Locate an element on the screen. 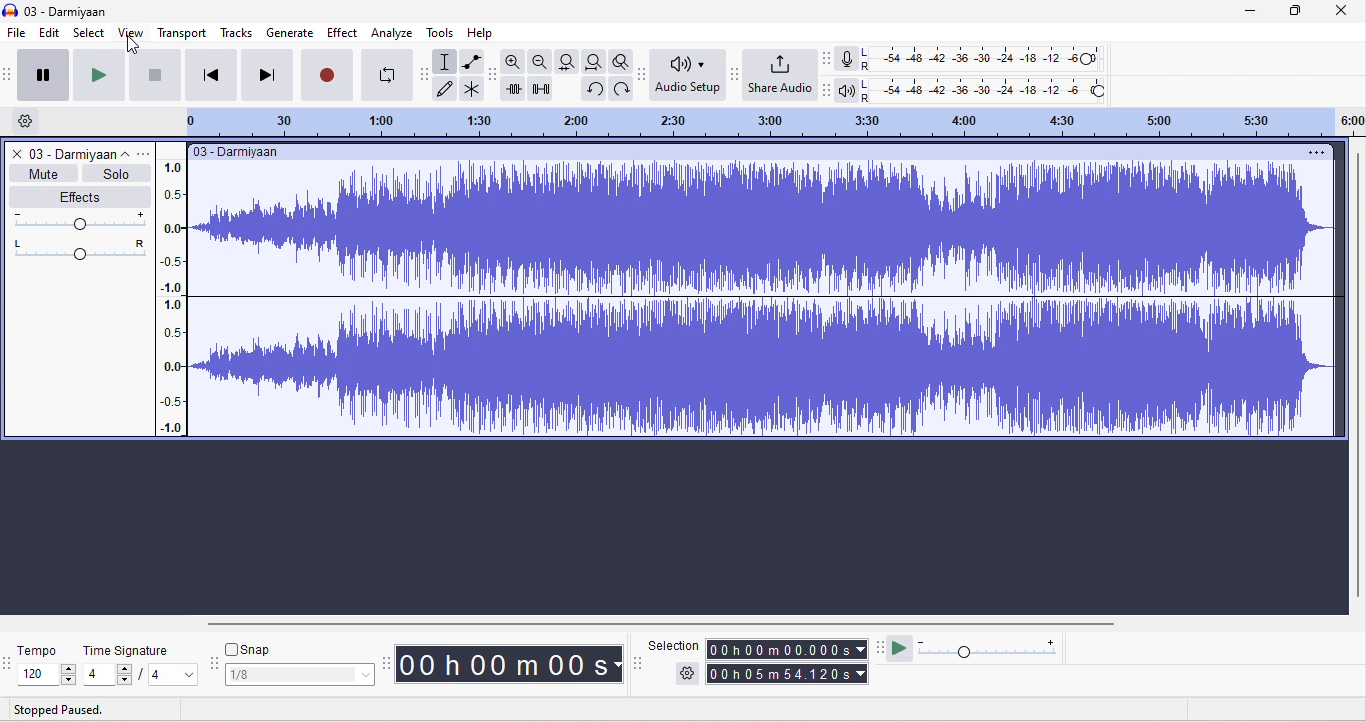  effect is located at coordinates (343, 32).